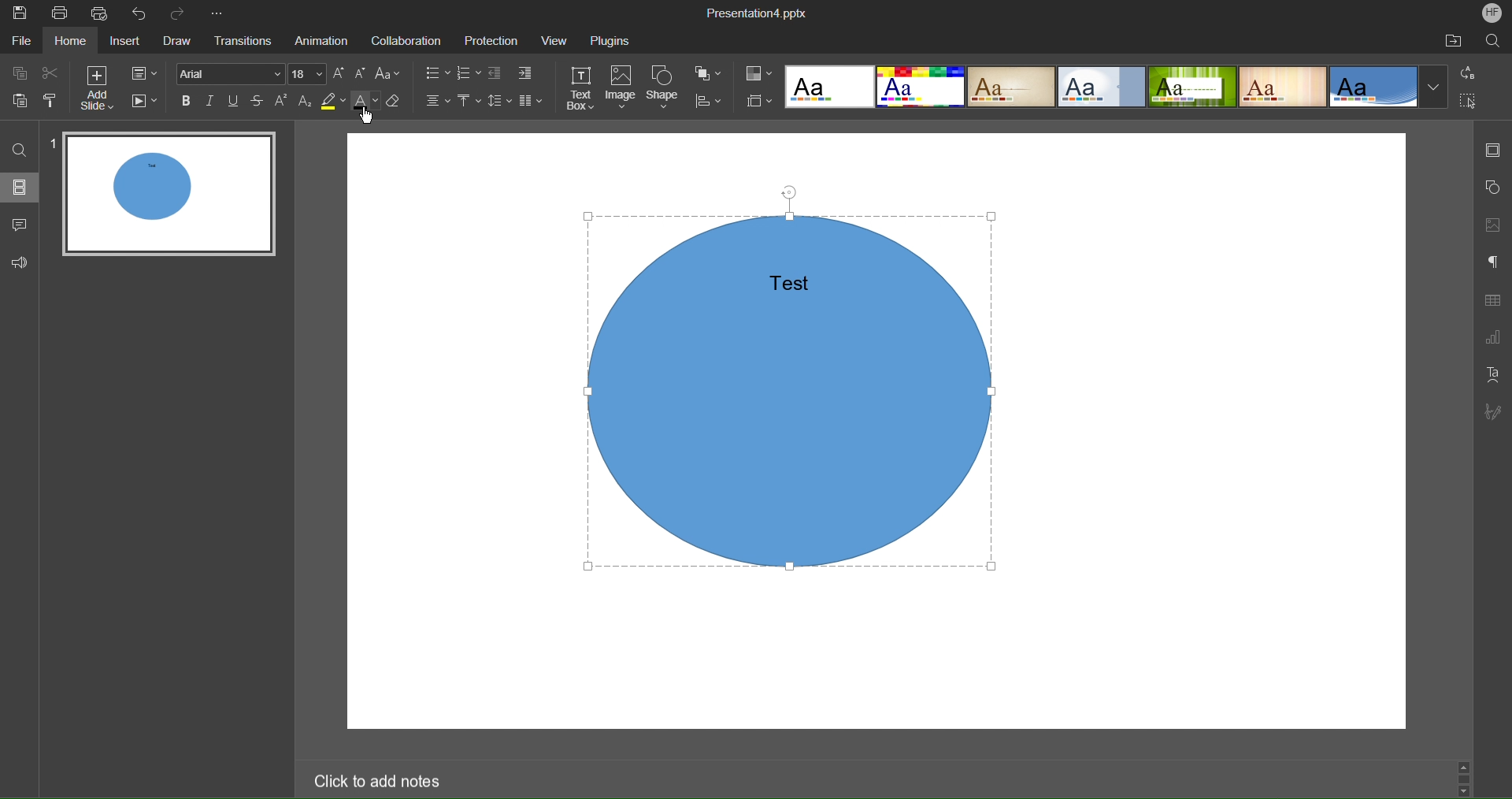 Image resolution: width=1512 pixels, height=799 pixels. What do you see at coordinates (50, 103) in the screenshot?
I see `Copy Style` at bounding box center [50, 103].